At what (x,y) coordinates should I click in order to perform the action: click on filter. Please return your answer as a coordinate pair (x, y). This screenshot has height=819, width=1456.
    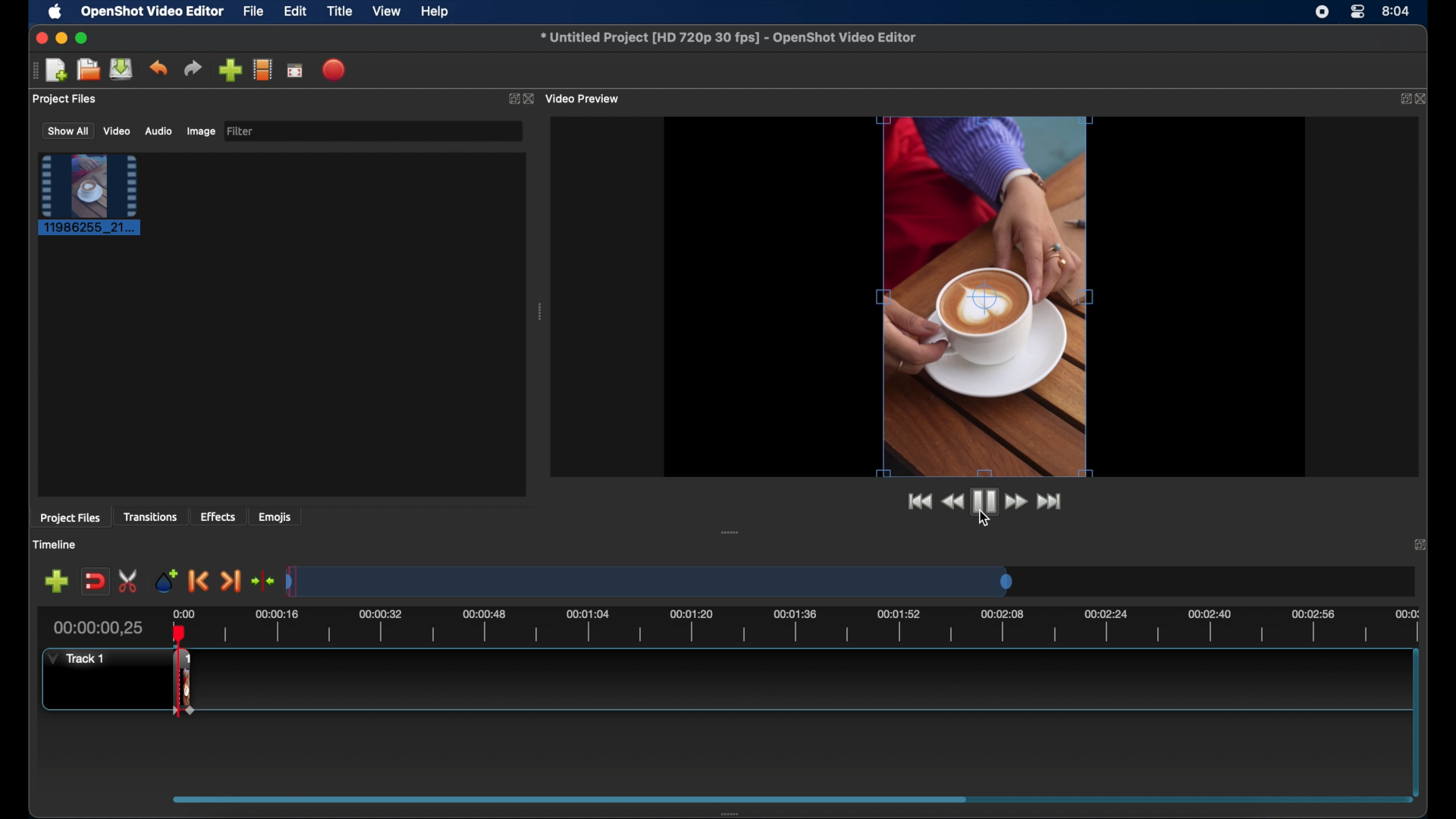
    Looking at the image, I should click on (241, 131).